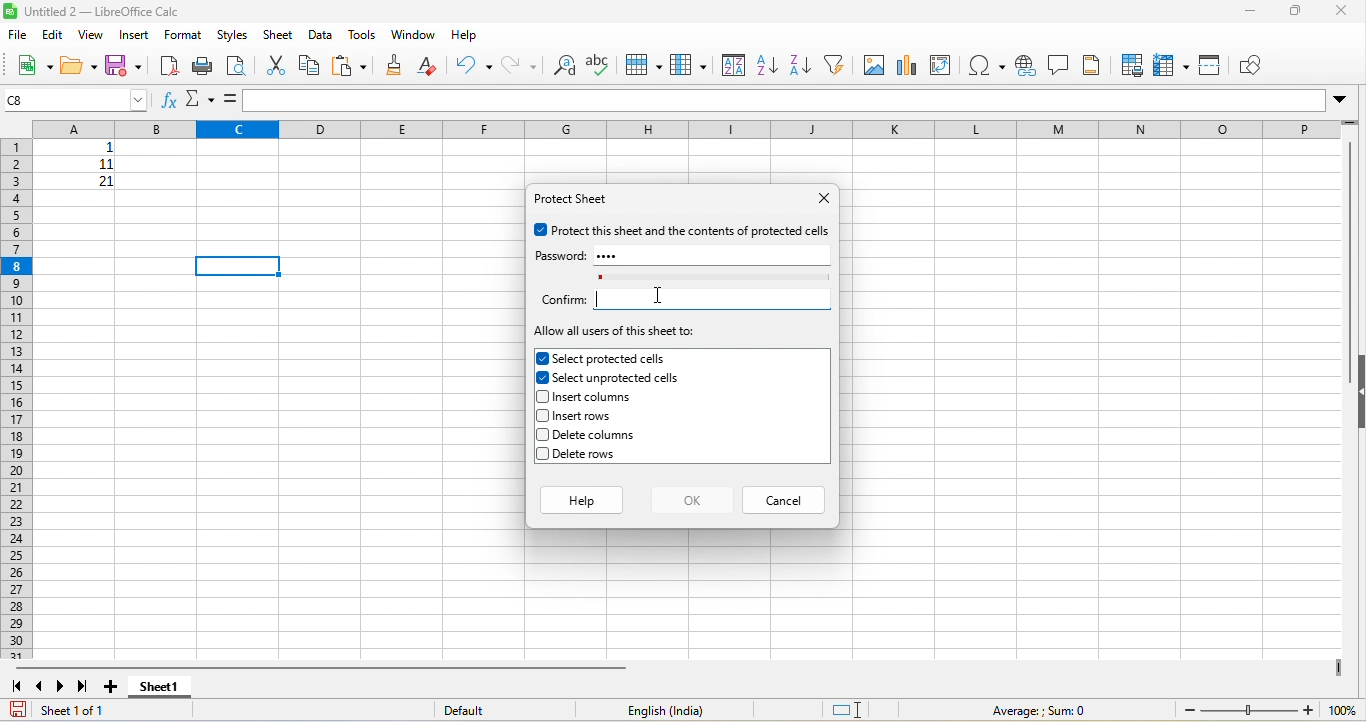  What do you see at coordinates (478, 710) in the screenshot?
I see `default` at bounding box center [478, 710].